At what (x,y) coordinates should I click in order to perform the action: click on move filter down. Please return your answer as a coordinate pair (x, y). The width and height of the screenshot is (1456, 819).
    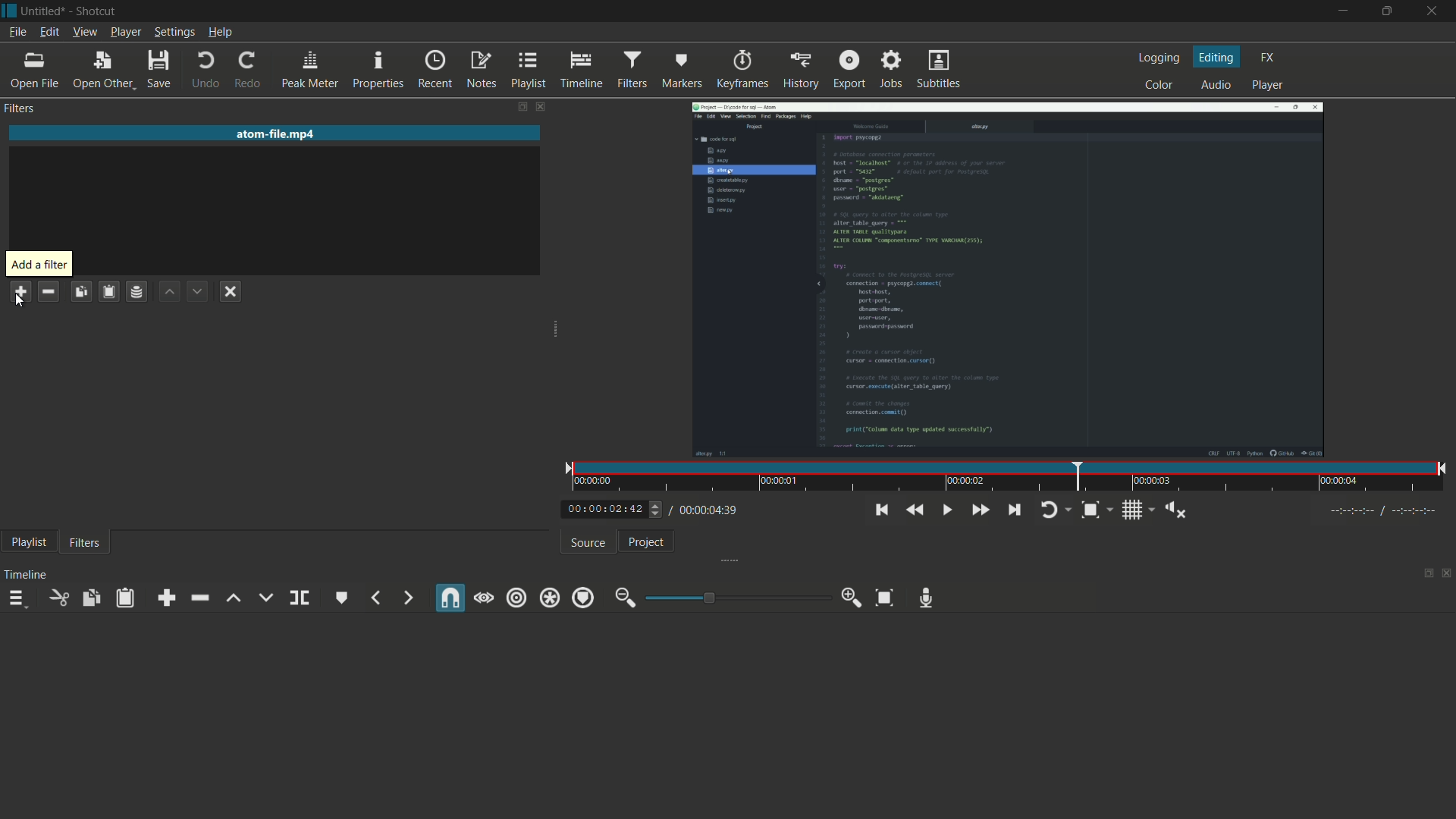
    Looking at the image, I should click on (198, 291).